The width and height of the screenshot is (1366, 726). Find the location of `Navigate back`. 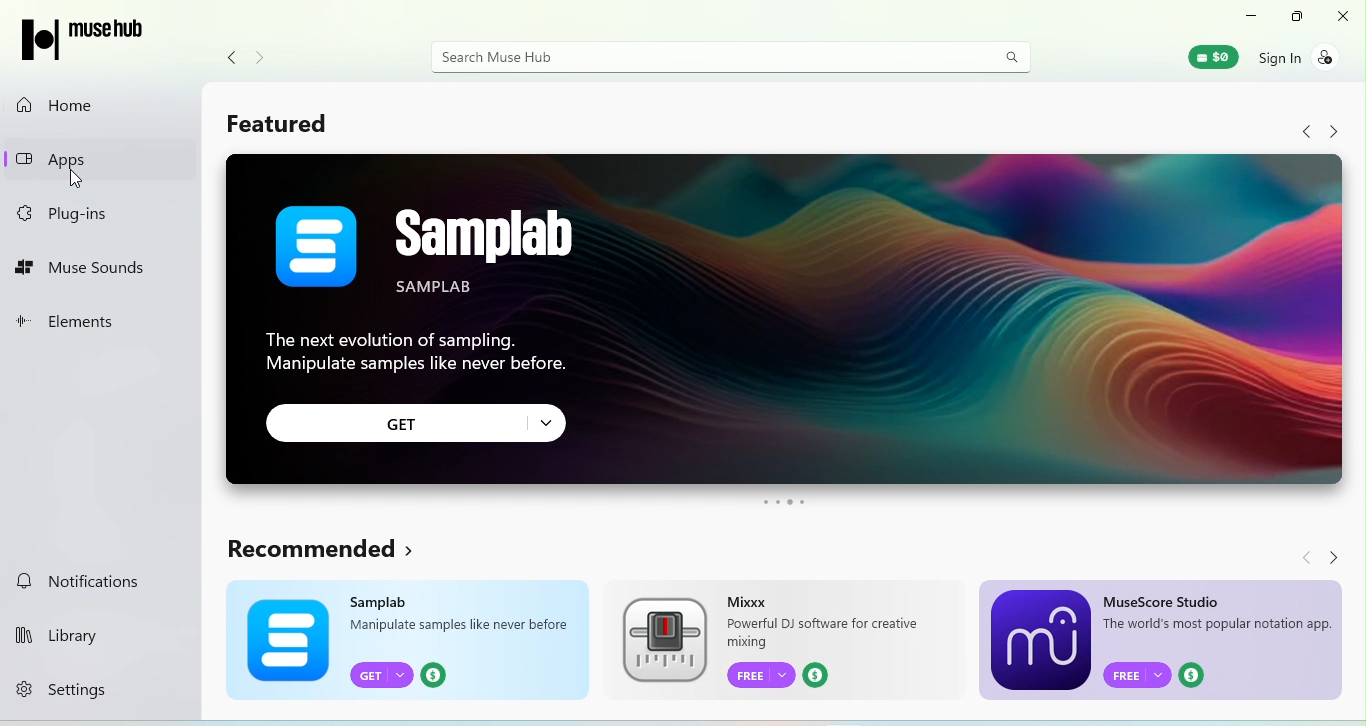

Navigate back is located at coordinates (1308, 131).